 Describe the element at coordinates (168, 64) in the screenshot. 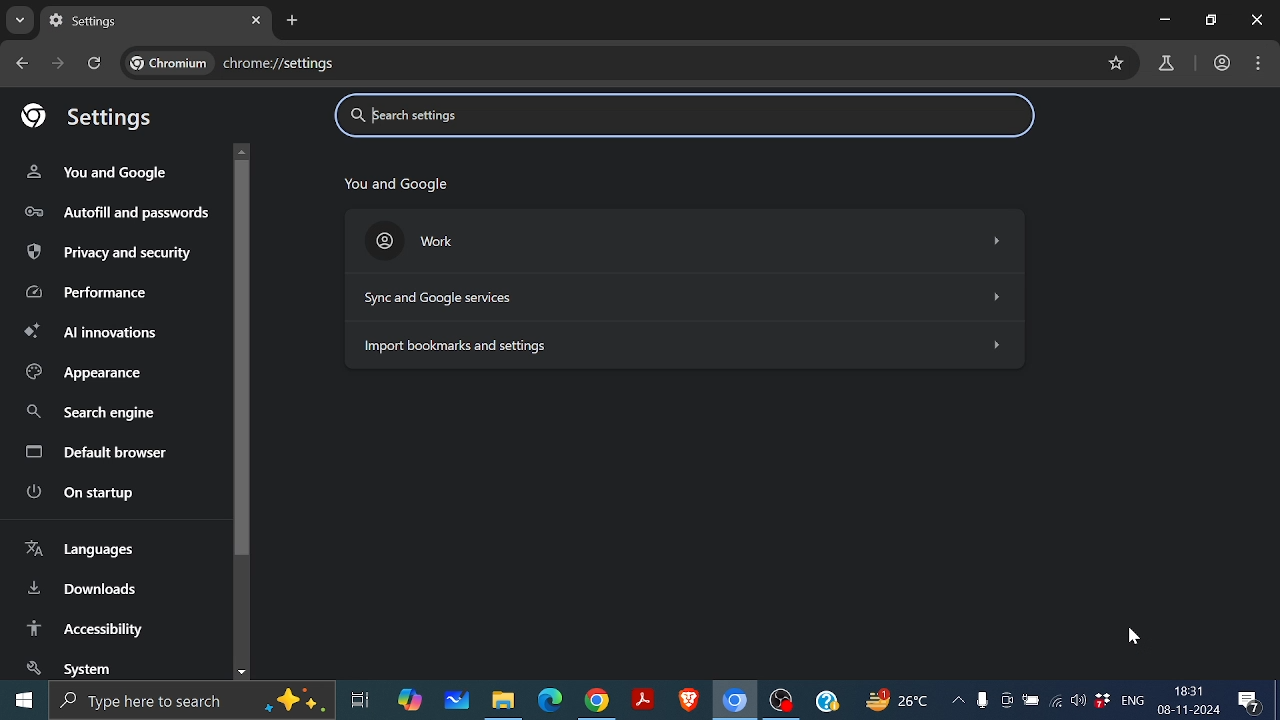

I see `chromium name and  logo` at that location.